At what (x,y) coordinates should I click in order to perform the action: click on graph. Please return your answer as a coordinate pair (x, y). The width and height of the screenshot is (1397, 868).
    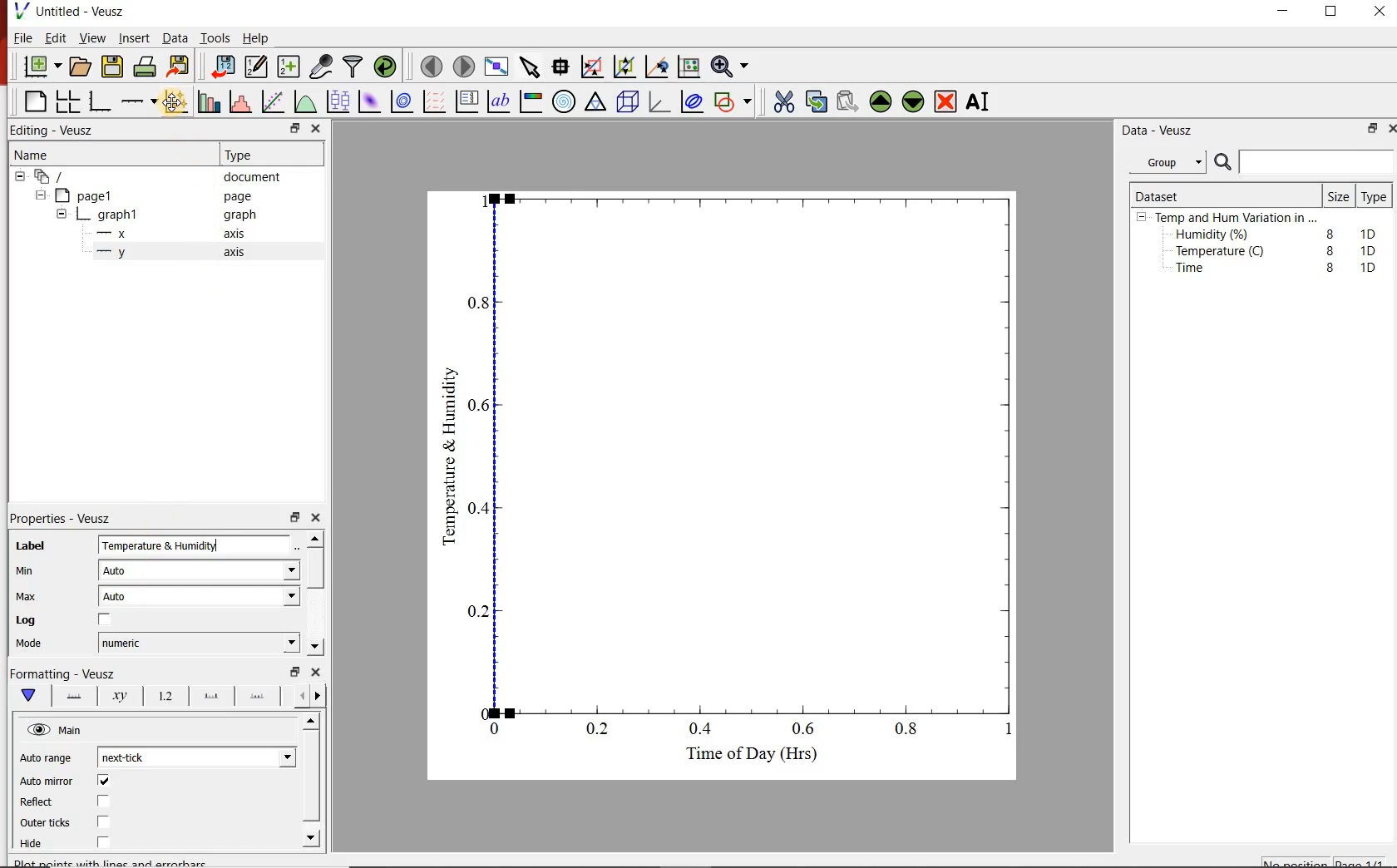
    Looking at the image, I should click on (119, 214).